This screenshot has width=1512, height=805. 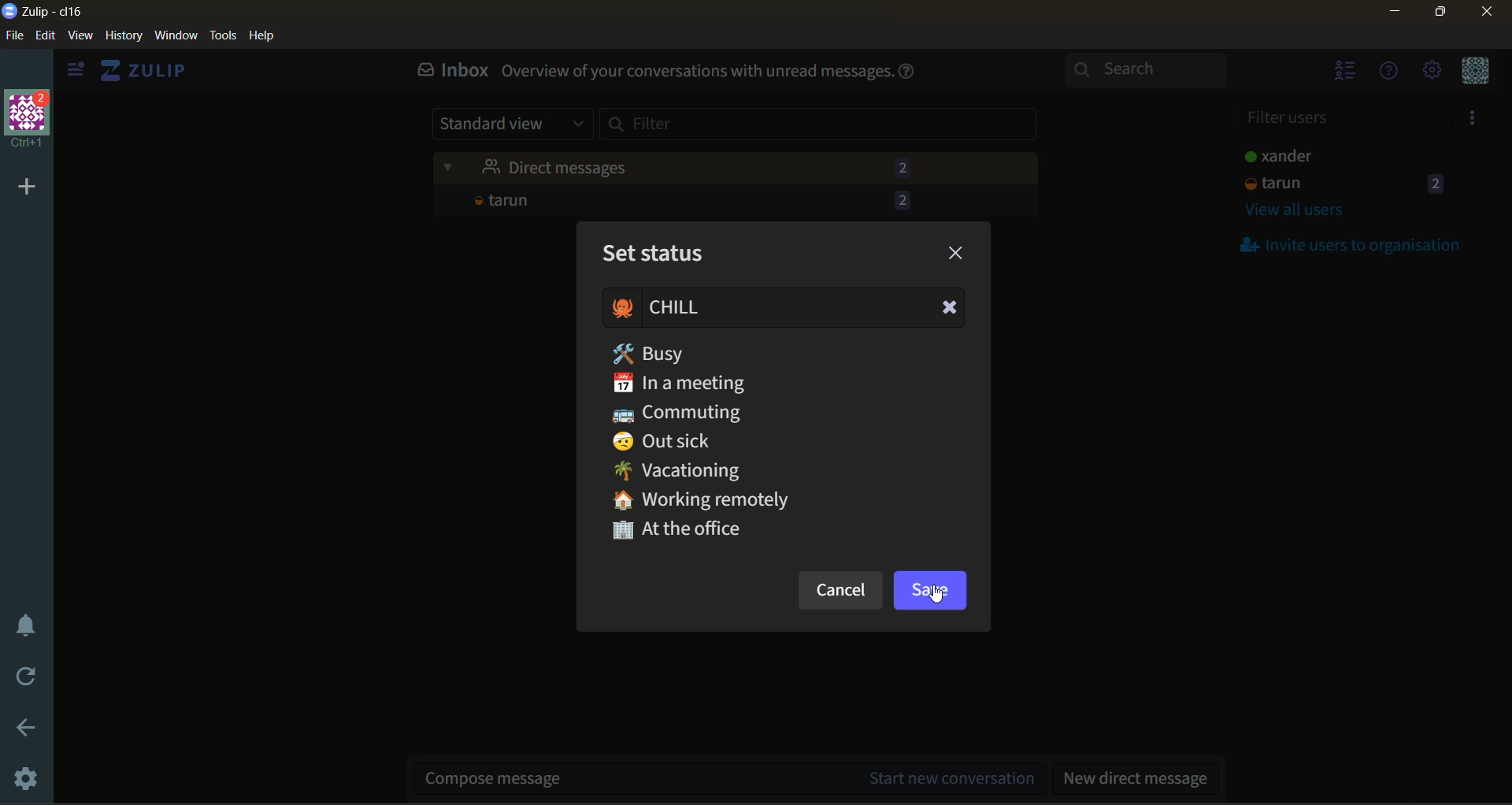 What do you see at coordinates (732, 380) in the screenshot?
I see `In a meeting` at bounding box center [732, 380].